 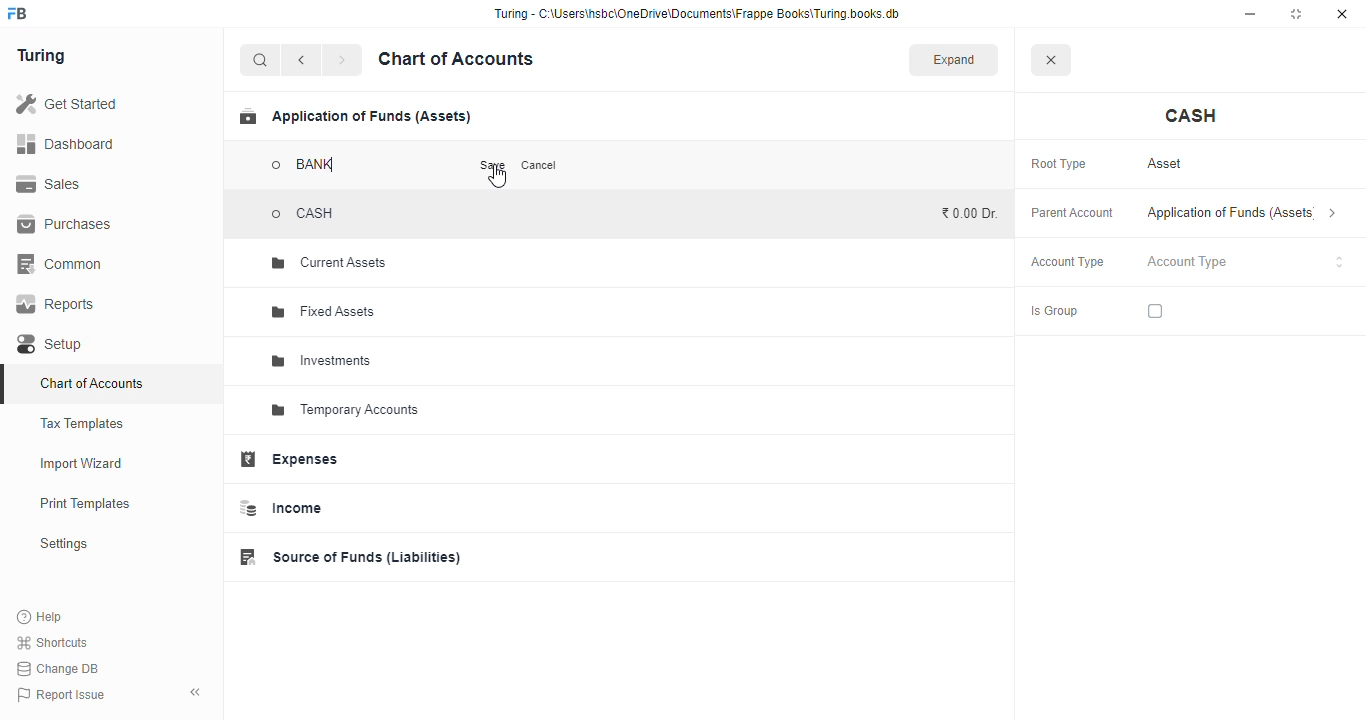 What do you see at coordinates (52, 344) in the screenshot?
I see `setup` at bounding box center [52, 344].